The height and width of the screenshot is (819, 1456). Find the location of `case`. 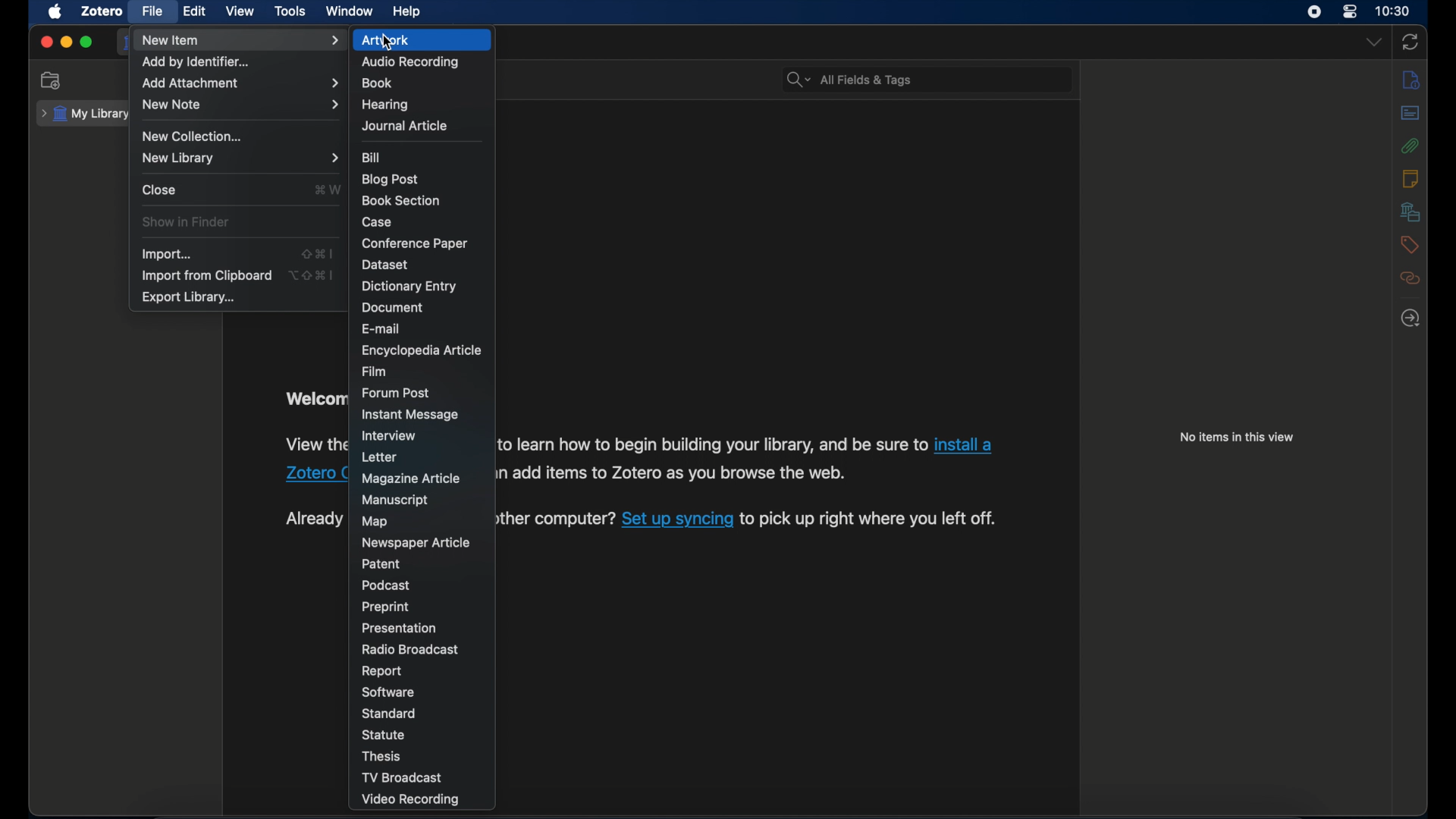

case is located at coordinates (378, 221).